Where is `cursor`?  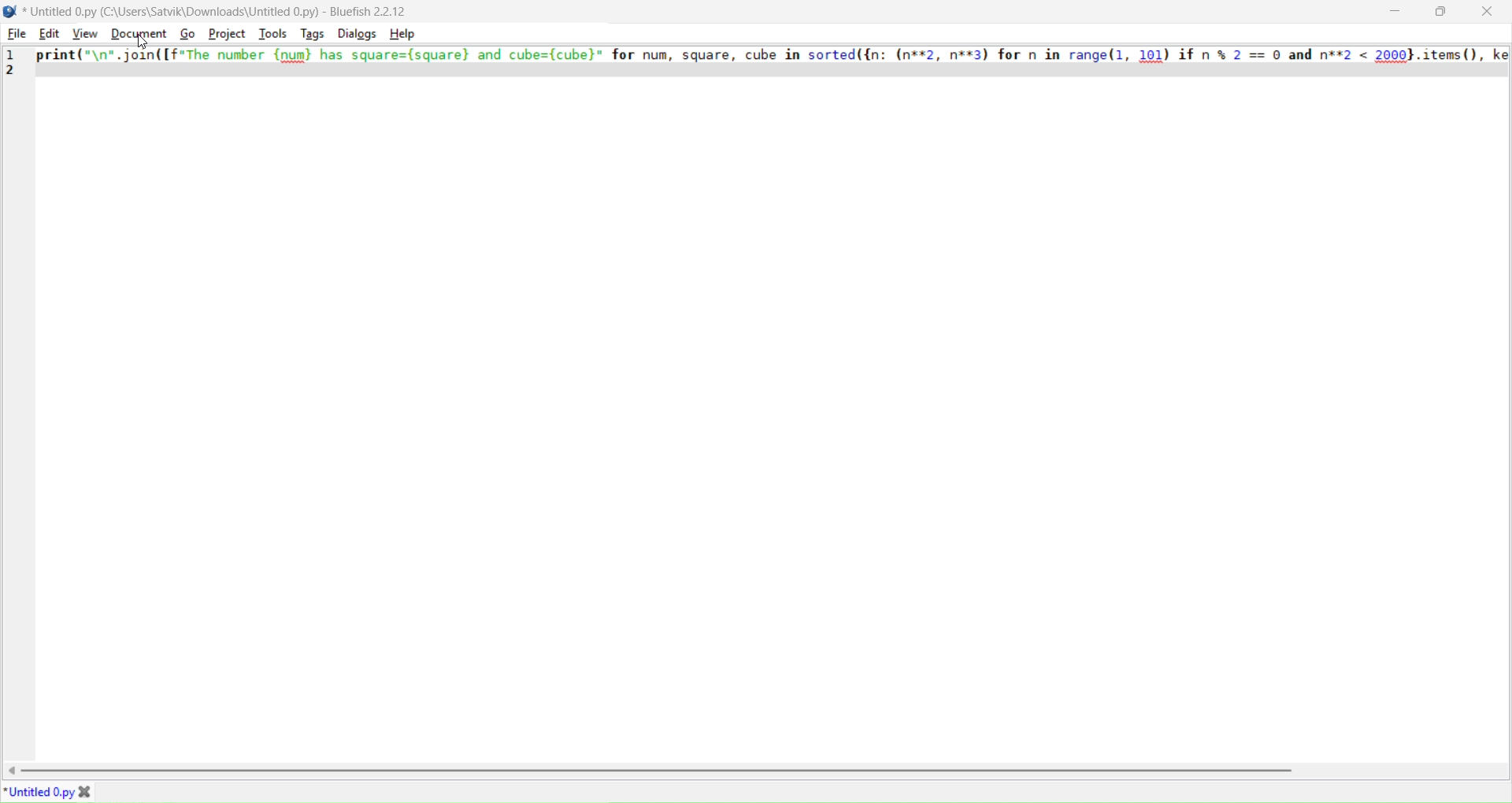
cursor is located at coordinates (144, 43).